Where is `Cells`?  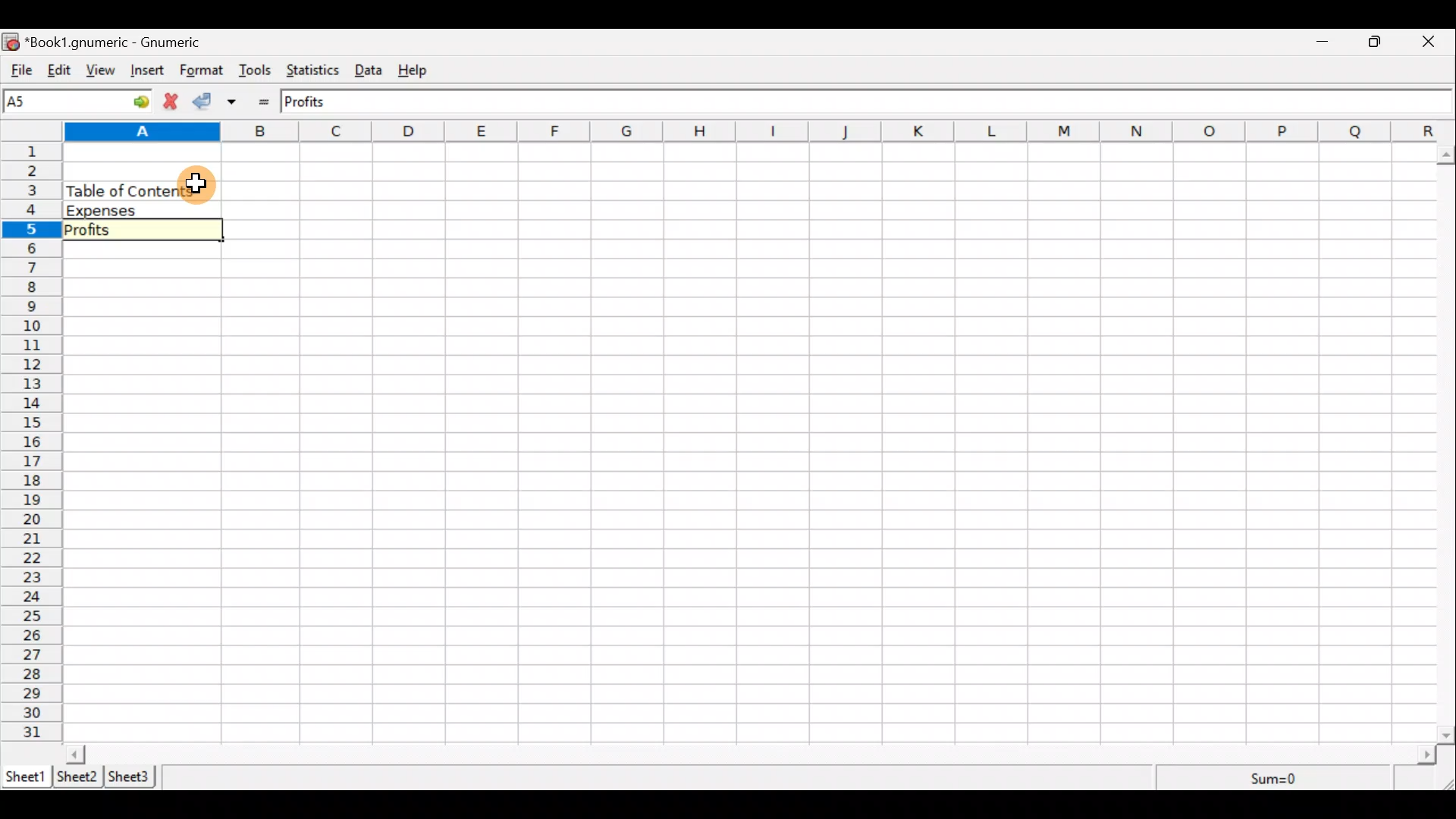
Cells is located at coordinates (824, 443).